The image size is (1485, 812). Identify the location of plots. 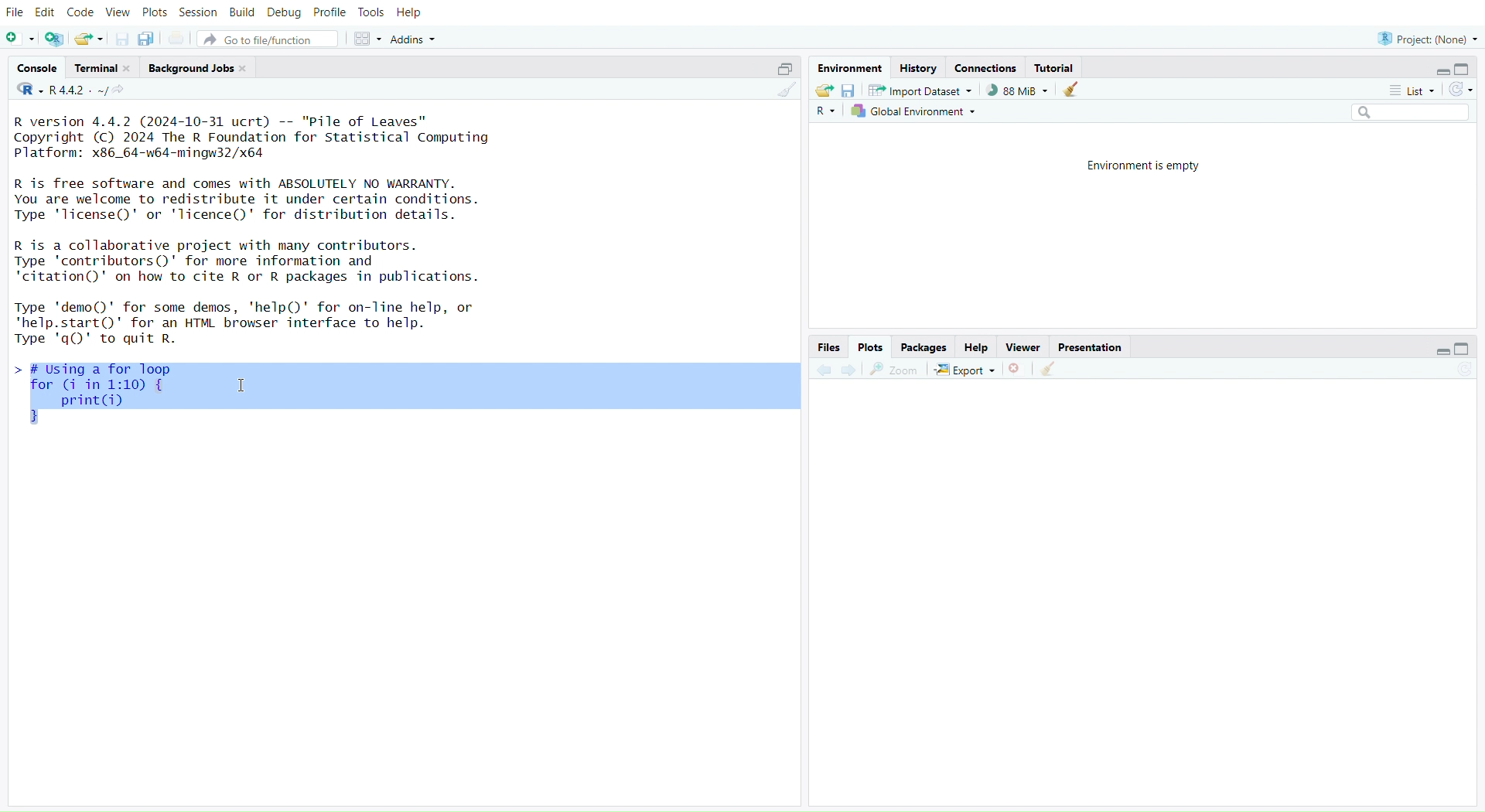
(156, 12).